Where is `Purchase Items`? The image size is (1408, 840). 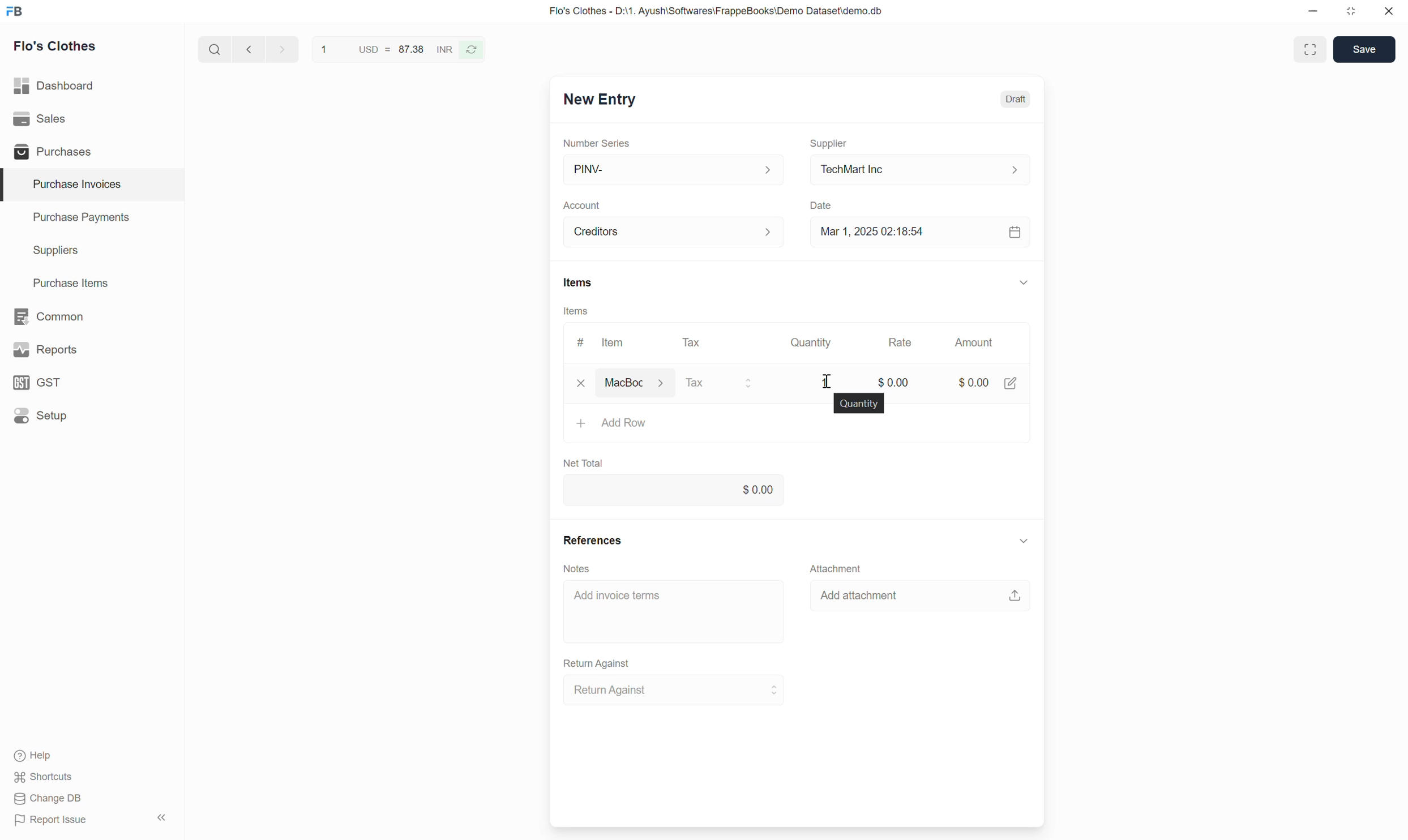
Purchase Items is located at coordinates (92, 284).